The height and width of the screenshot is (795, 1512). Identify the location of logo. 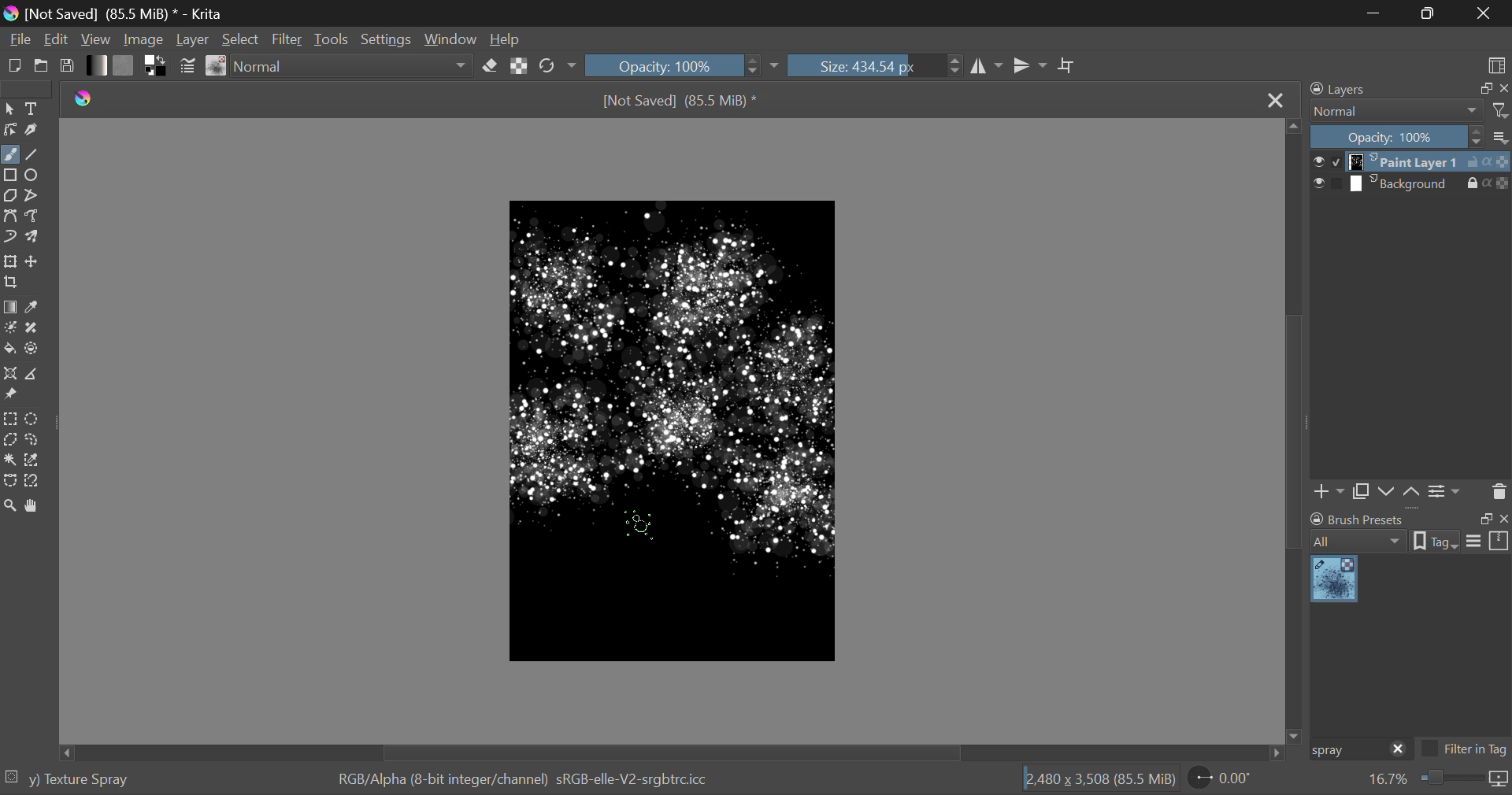
(13, 15).